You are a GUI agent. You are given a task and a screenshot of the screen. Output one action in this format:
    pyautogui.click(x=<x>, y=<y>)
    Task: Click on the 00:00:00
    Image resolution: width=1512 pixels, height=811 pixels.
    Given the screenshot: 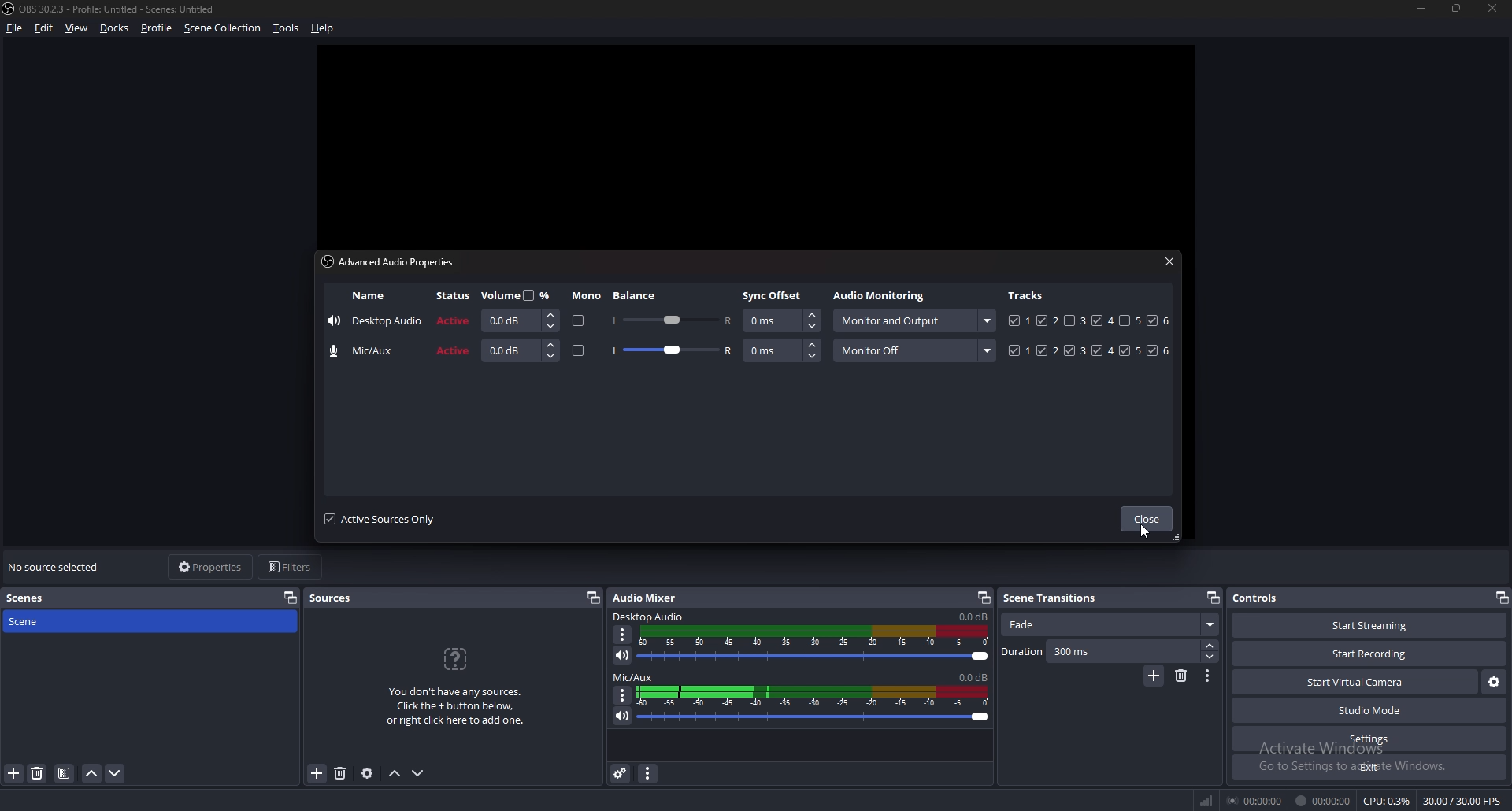 What is the action you would take?
    pyautogui.click(x=1257, y=800)
    